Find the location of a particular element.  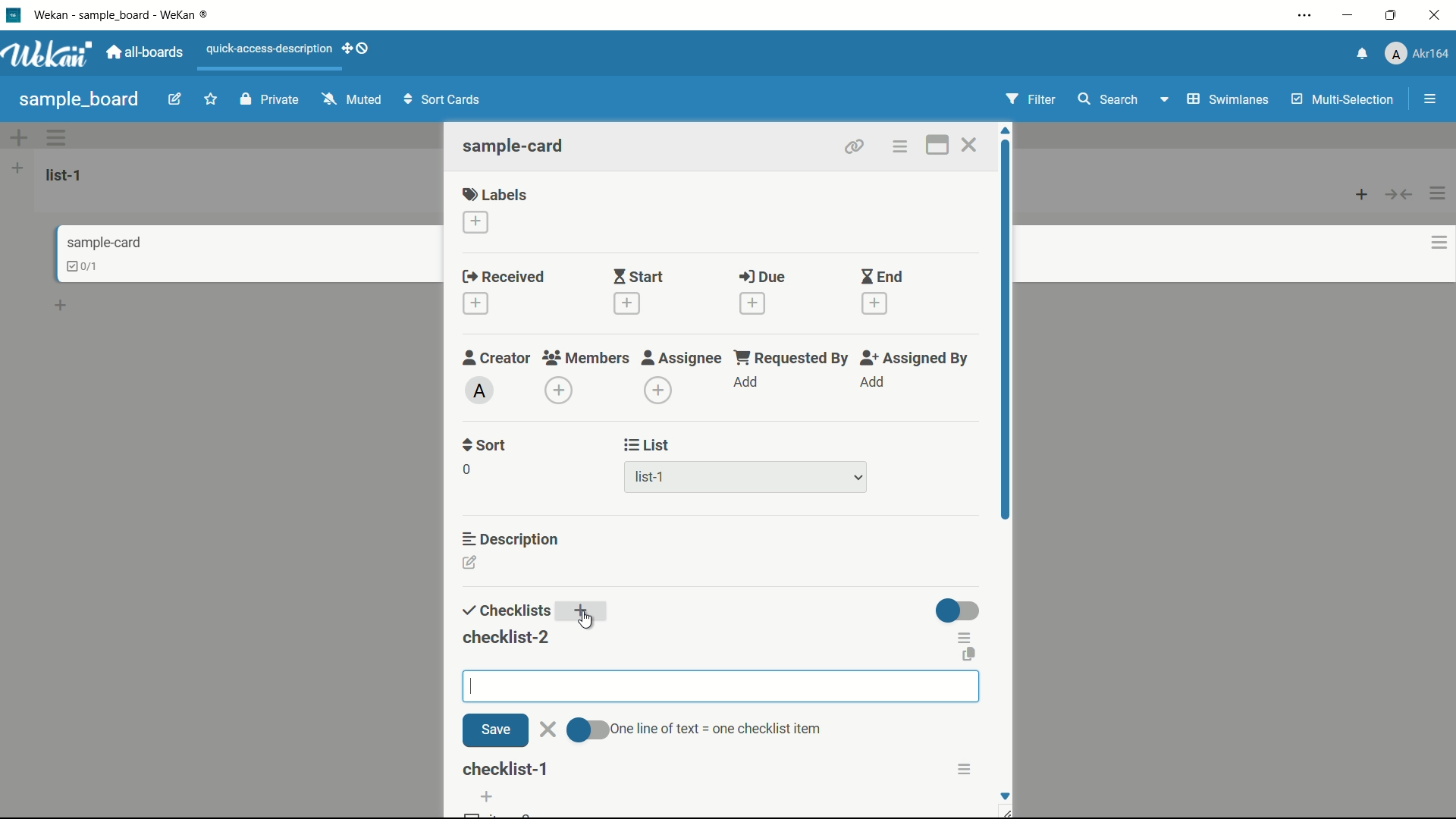

add description is located at coordinates (471, 565).